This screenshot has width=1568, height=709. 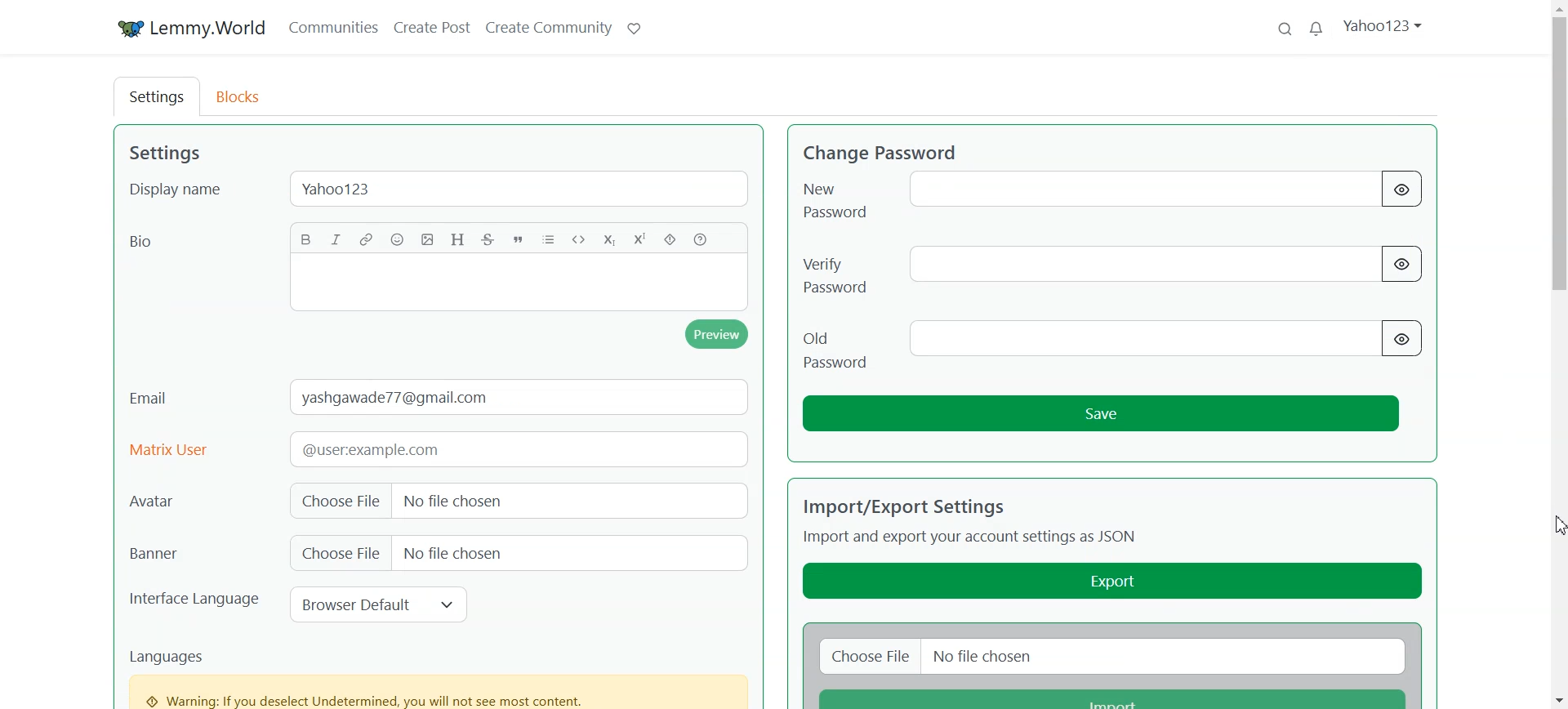 I want to click on Choose file, so click(x=866, y=655).